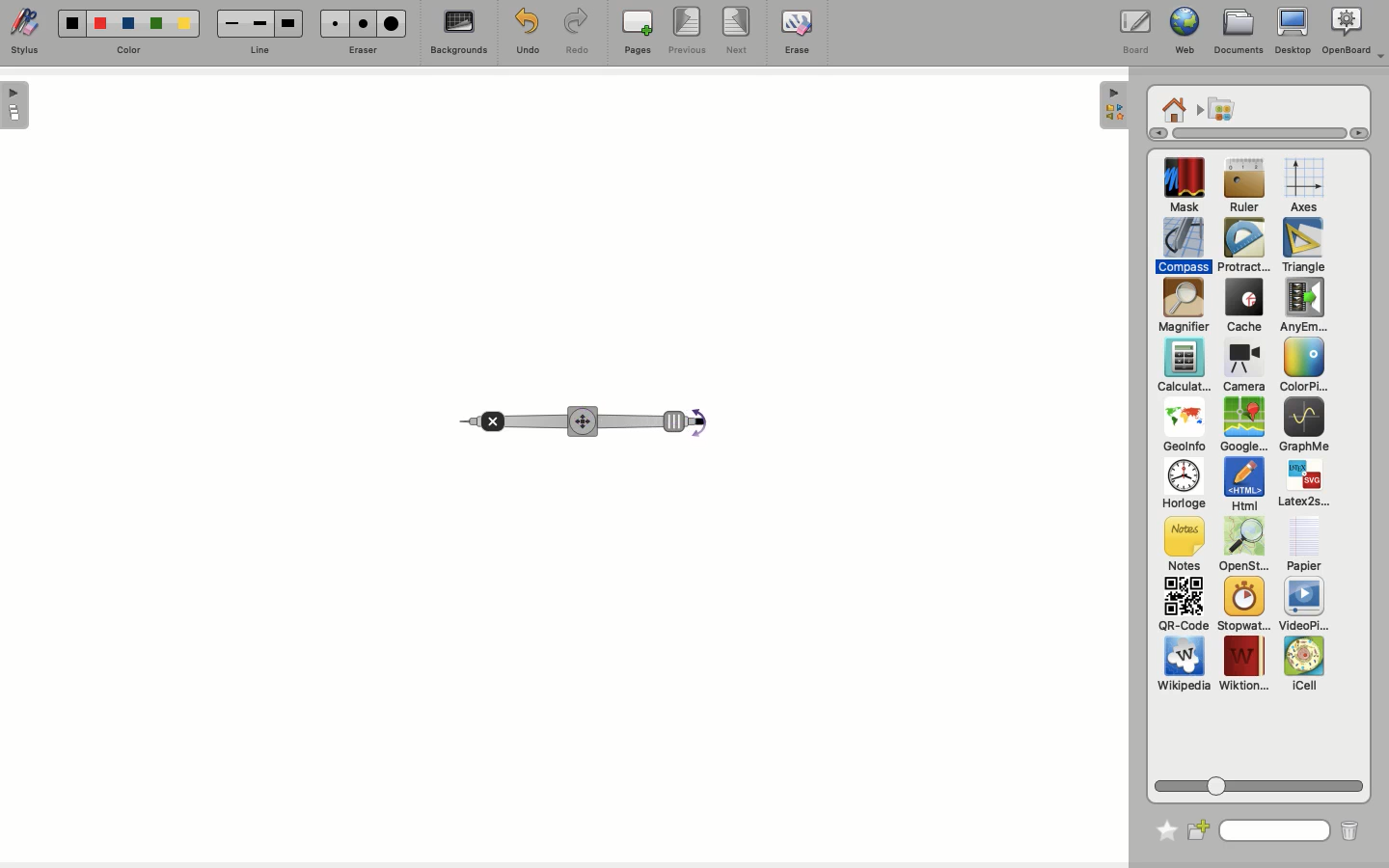 Image resolution: width=1389 pixels, height=868 pixels. What do you see at coordinates (1111, 105) in the screenshot?
I see `hide sidebar` at bounding box center [1111, 105].